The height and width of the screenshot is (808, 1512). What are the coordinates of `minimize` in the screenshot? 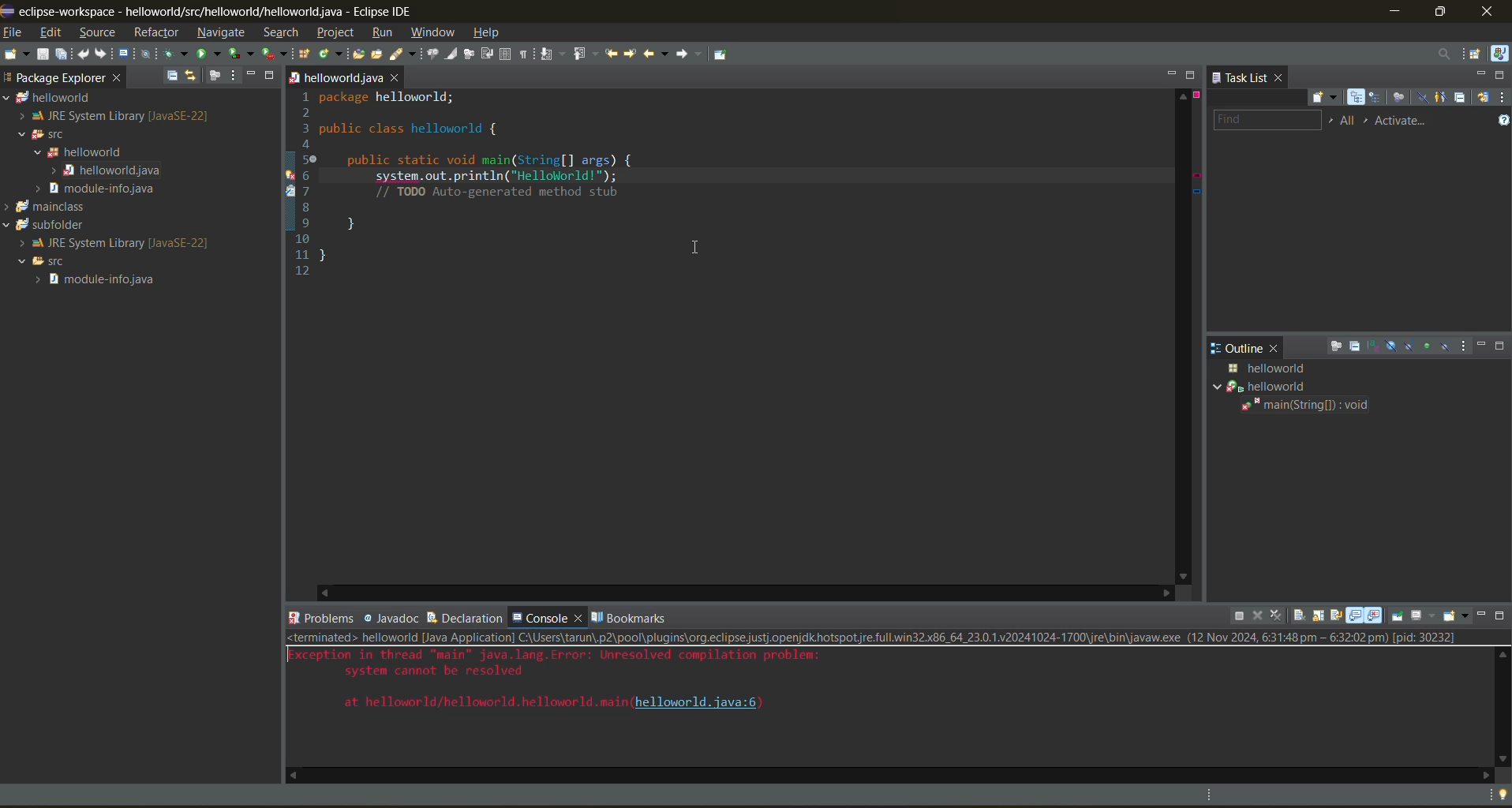 It's located at (1484, 346).